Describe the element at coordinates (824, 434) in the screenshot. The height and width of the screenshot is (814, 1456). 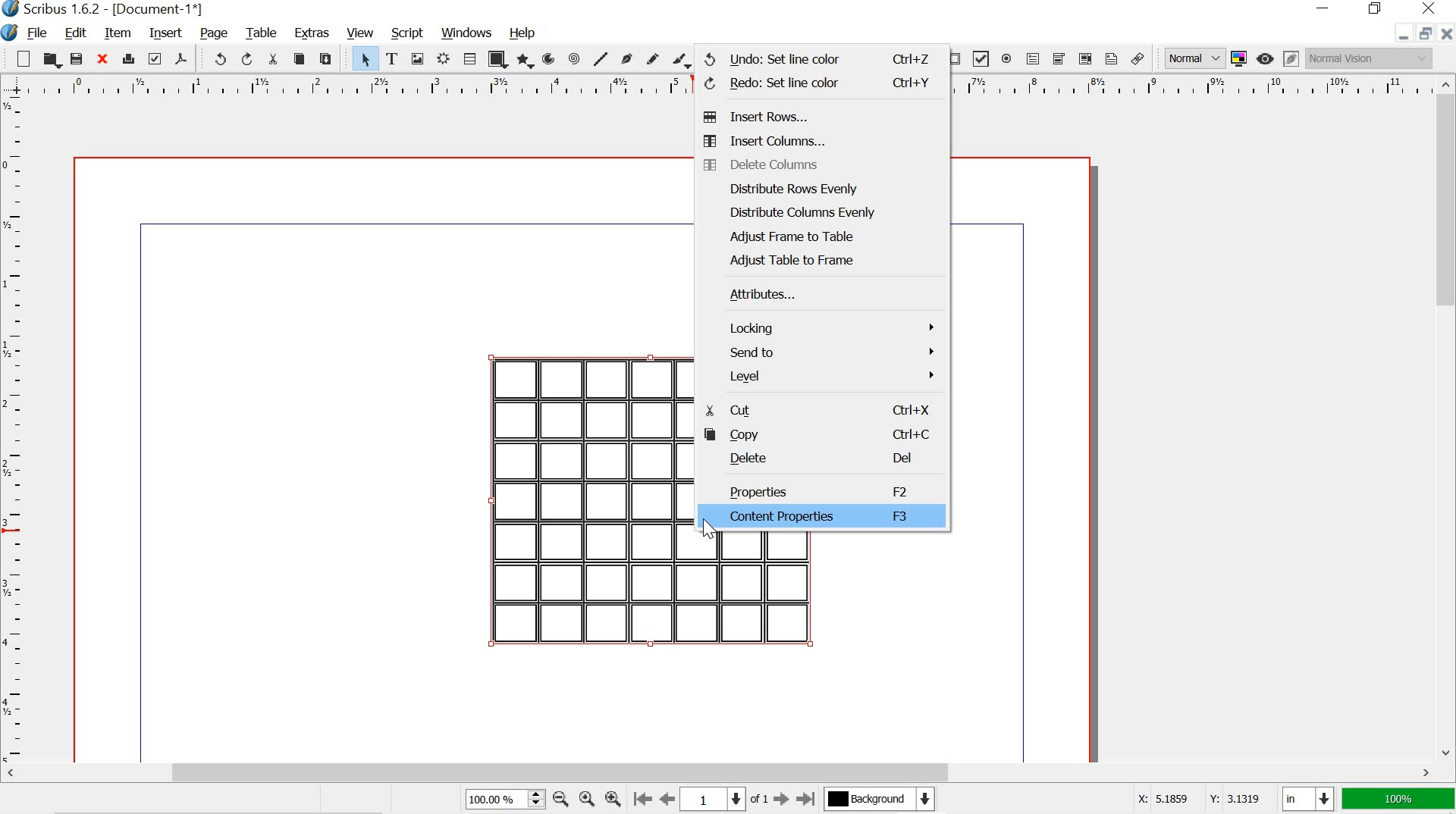
I see `copy Ctrl+C` at that location.